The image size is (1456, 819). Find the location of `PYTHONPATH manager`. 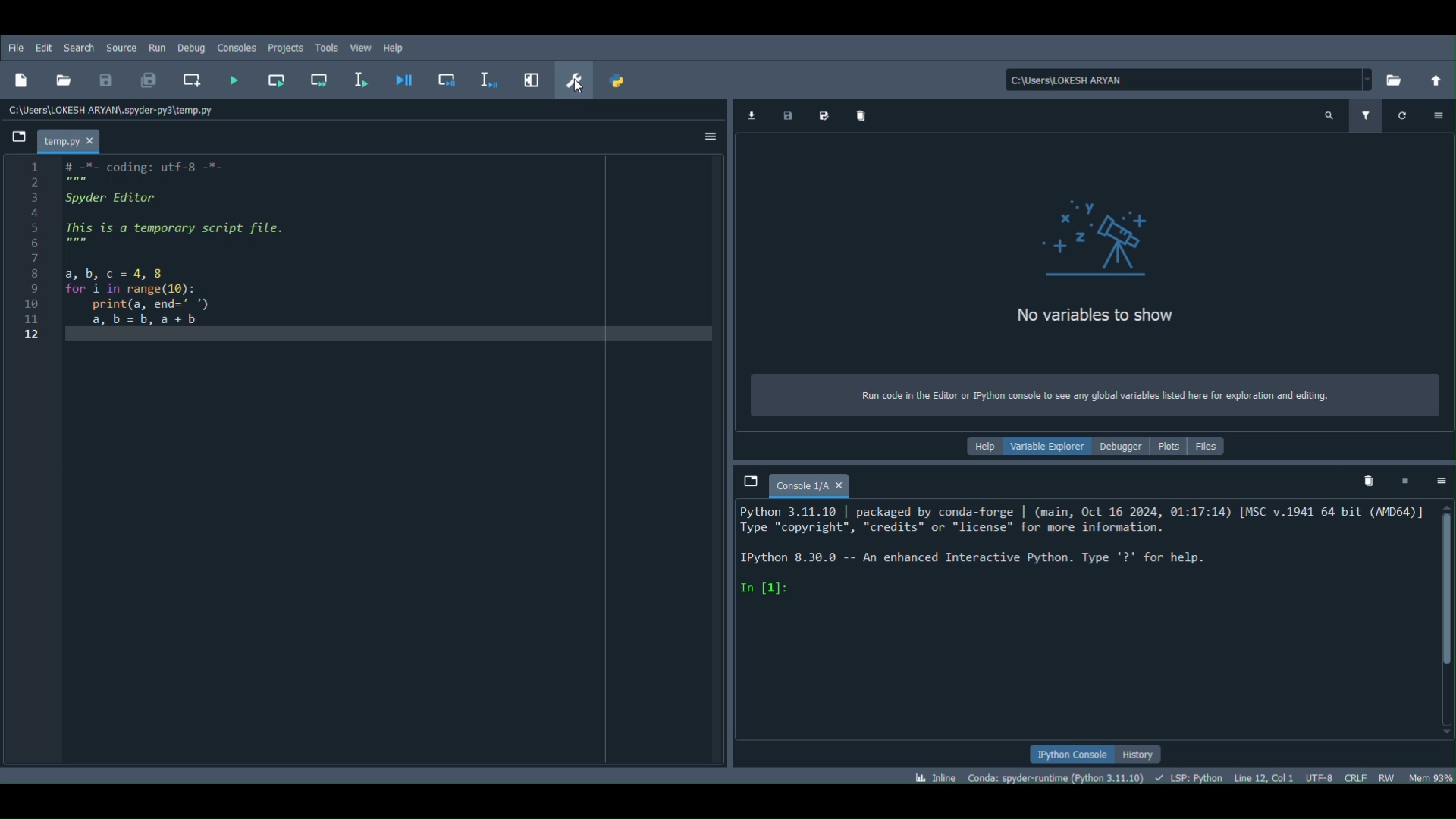

PYTHONPATH manager is located at coordinates (624, 80).